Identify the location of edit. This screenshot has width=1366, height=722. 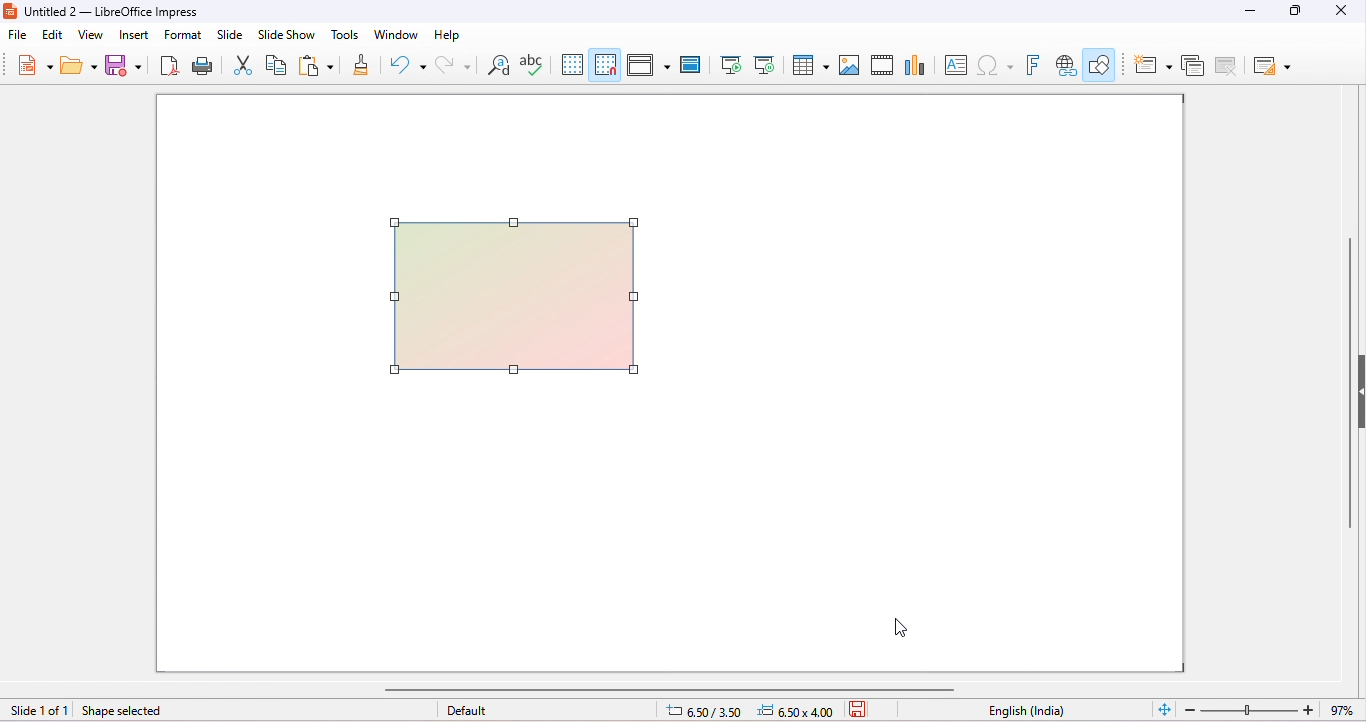
(52, 36).